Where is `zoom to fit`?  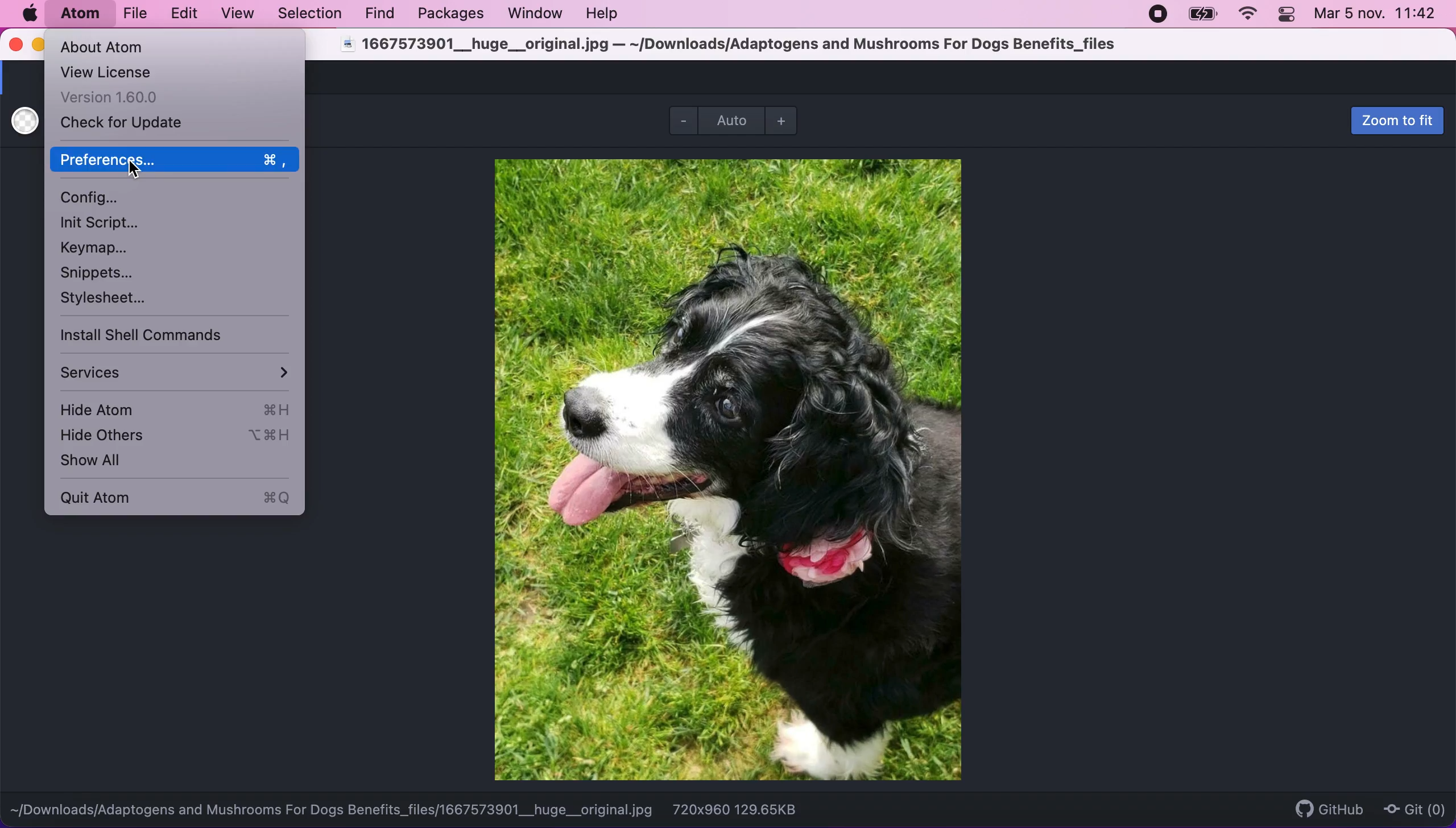
zoom to fit is located at coordinates (1392, 124).